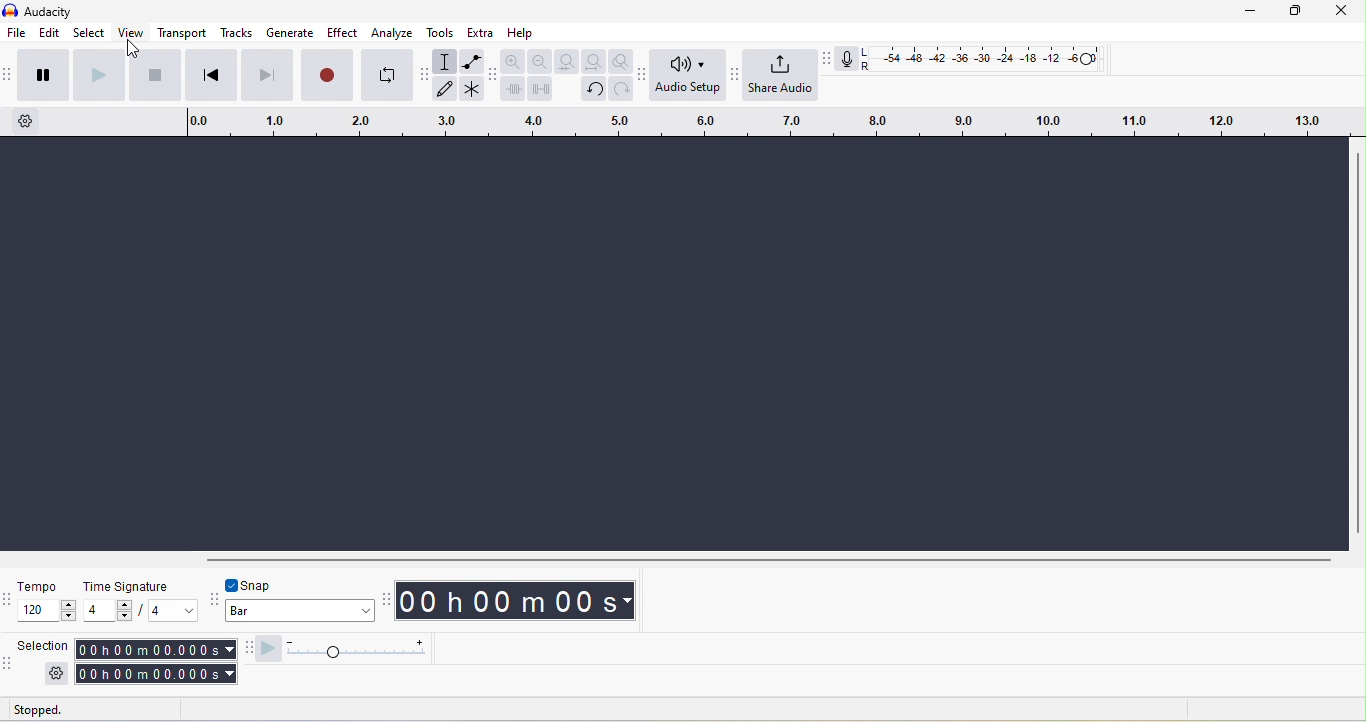 The width and height of the screenshot is (1366, 722). I want to click on recording level, so click(989, 58).